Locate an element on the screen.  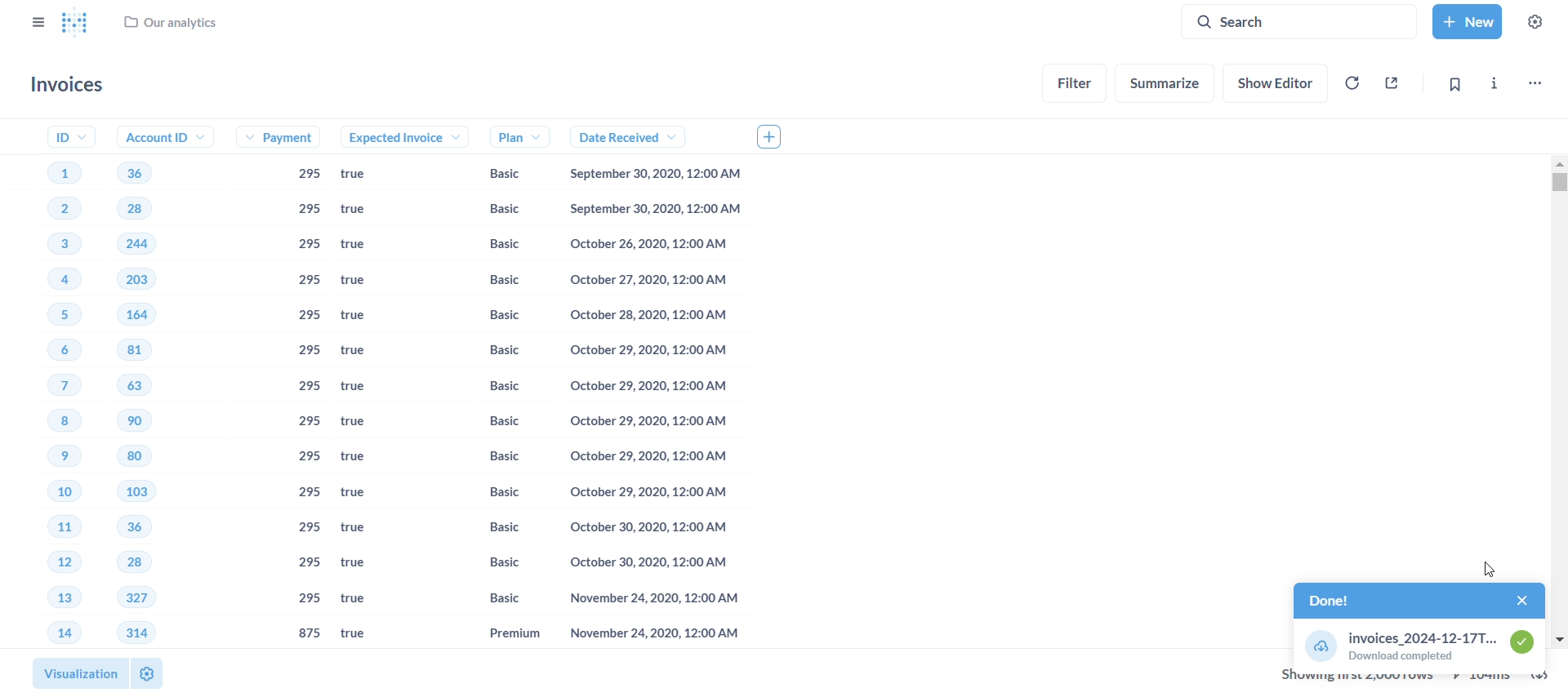
12 is located at coordinates (45, 562).